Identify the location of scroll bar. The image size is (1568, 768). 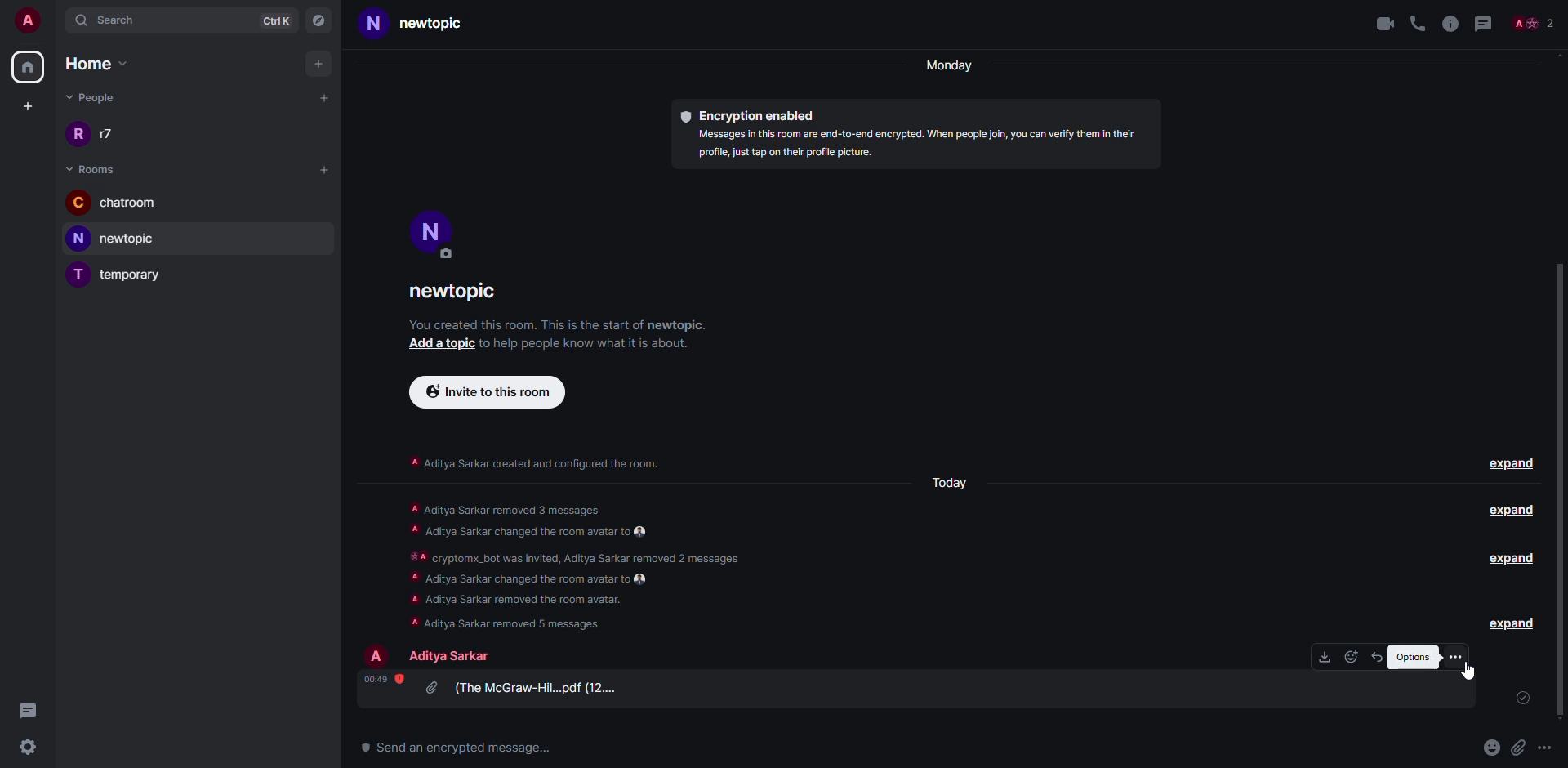
(1571, 490).